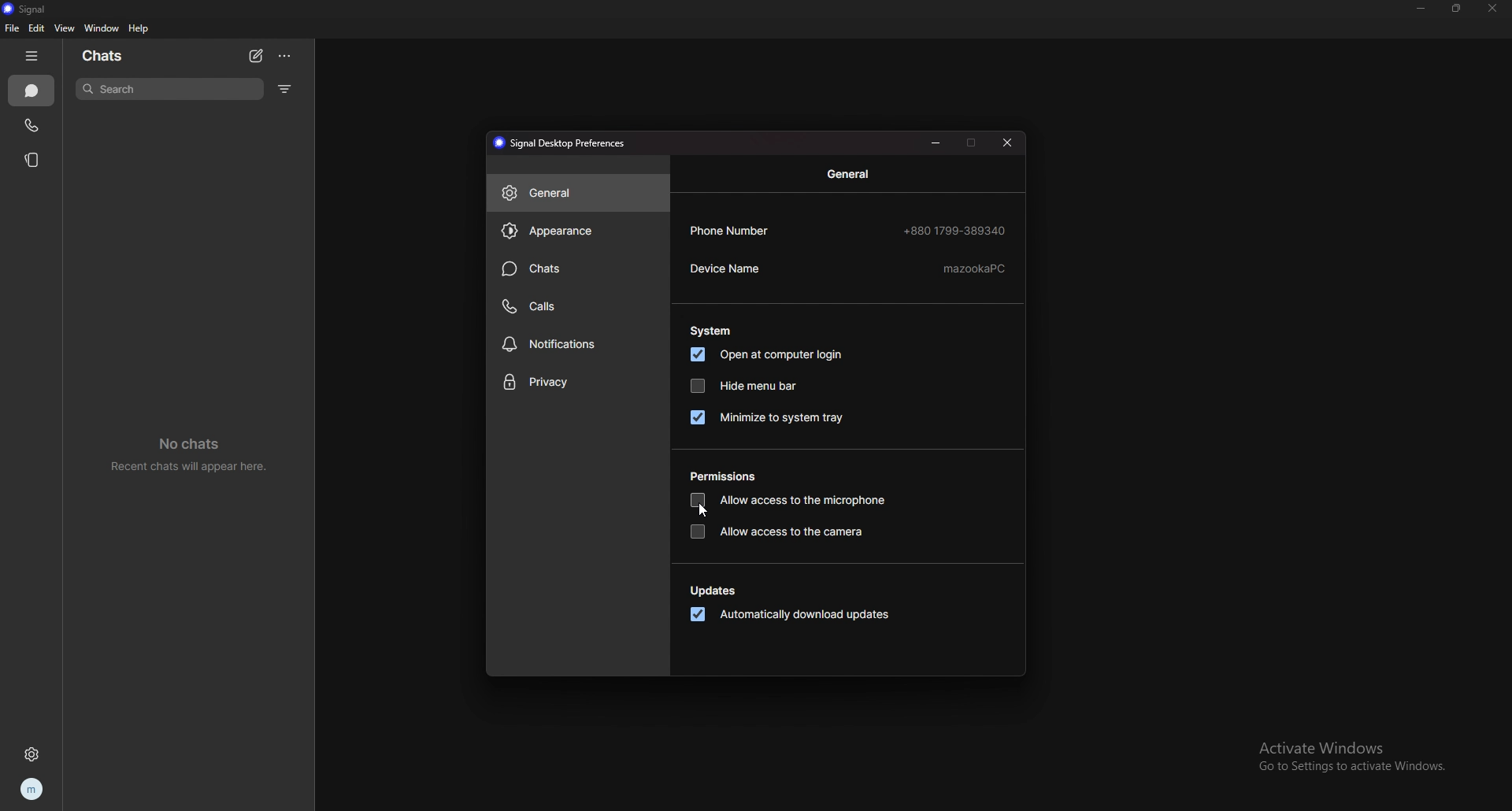  Describe the element at coordinates (12, 28) in the screenshot. I see `file` at that location.